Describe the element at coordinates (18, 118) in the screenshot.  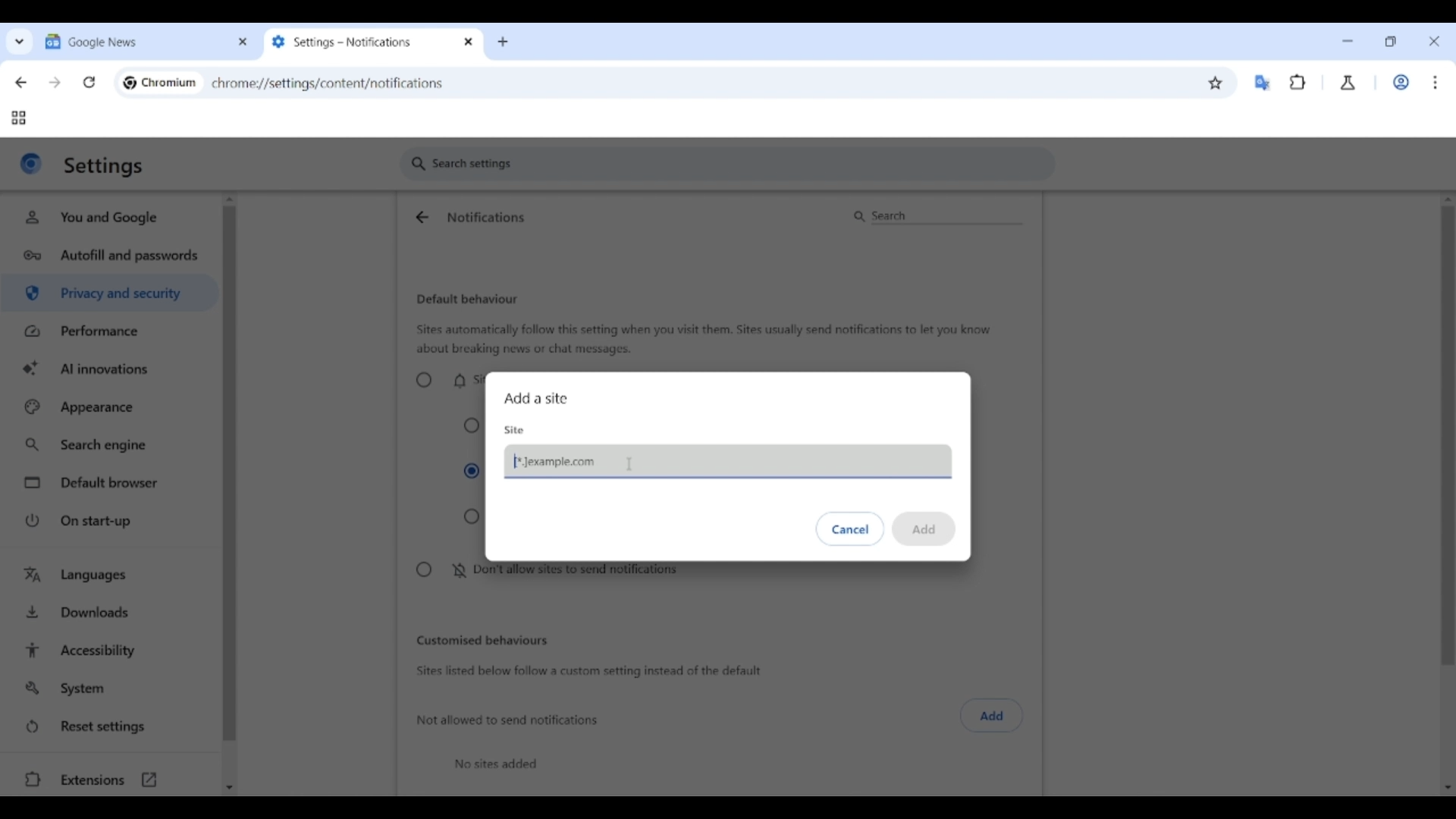
I see `Tab groups` at that location.